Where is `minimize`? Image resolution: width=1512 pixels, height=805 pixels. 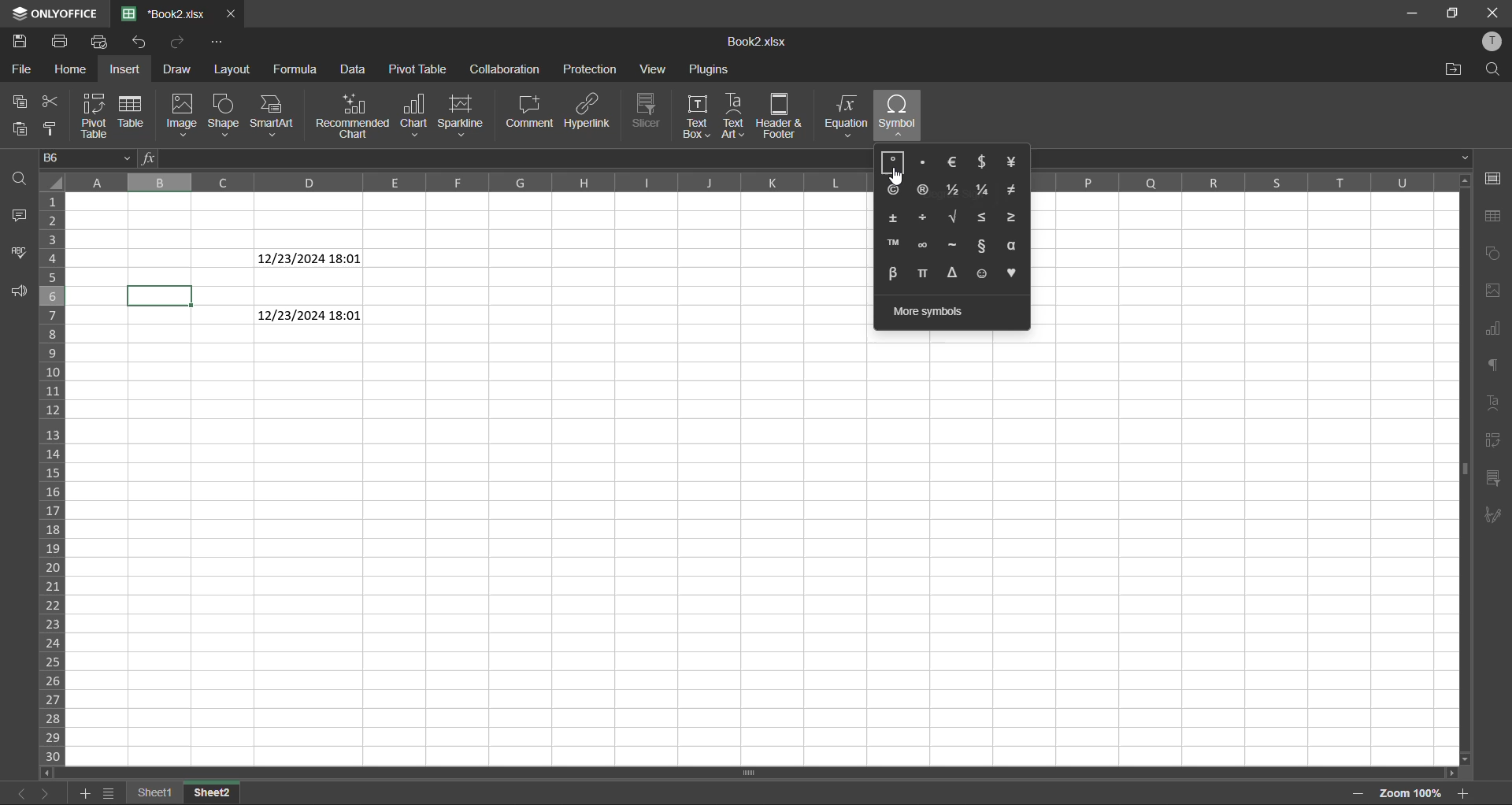
minimize is located at coordinates (1408, 14).